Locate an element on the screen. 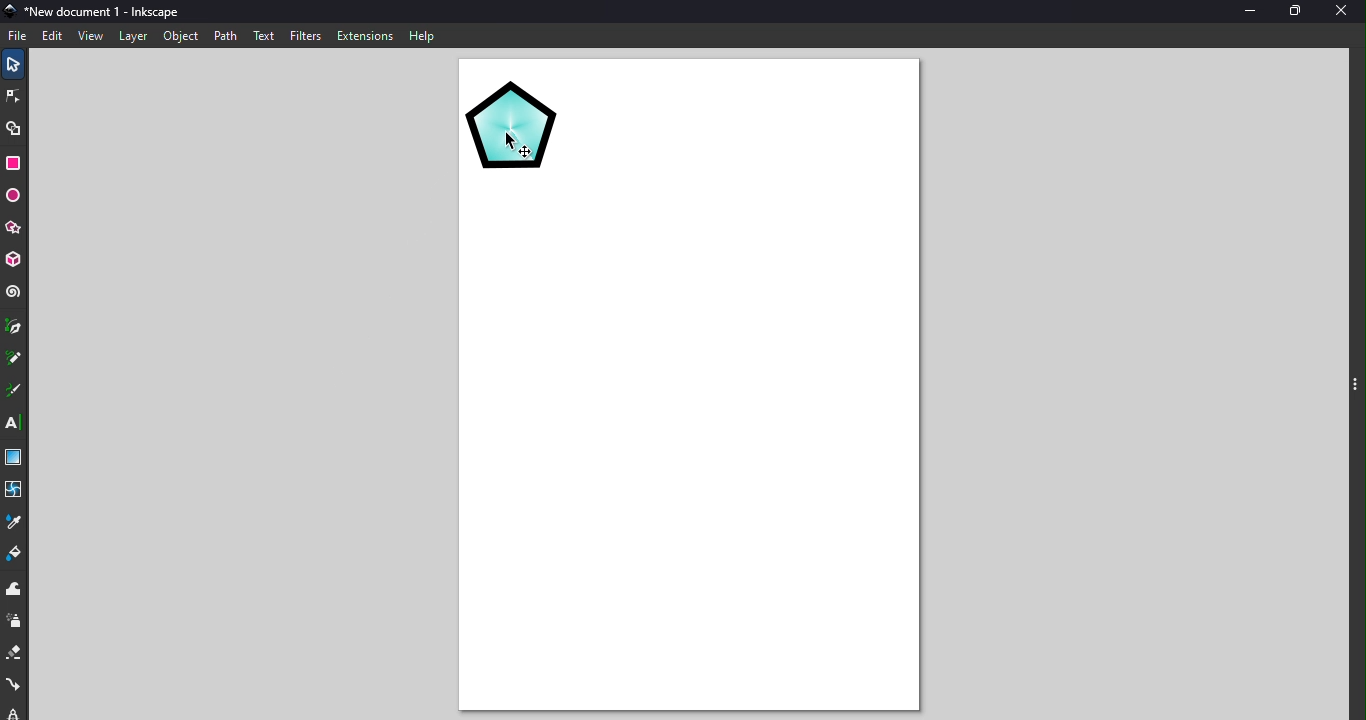 The width and height of the screenshot is (1366, 720). Gradient tool is located at coordinates (16, 457).